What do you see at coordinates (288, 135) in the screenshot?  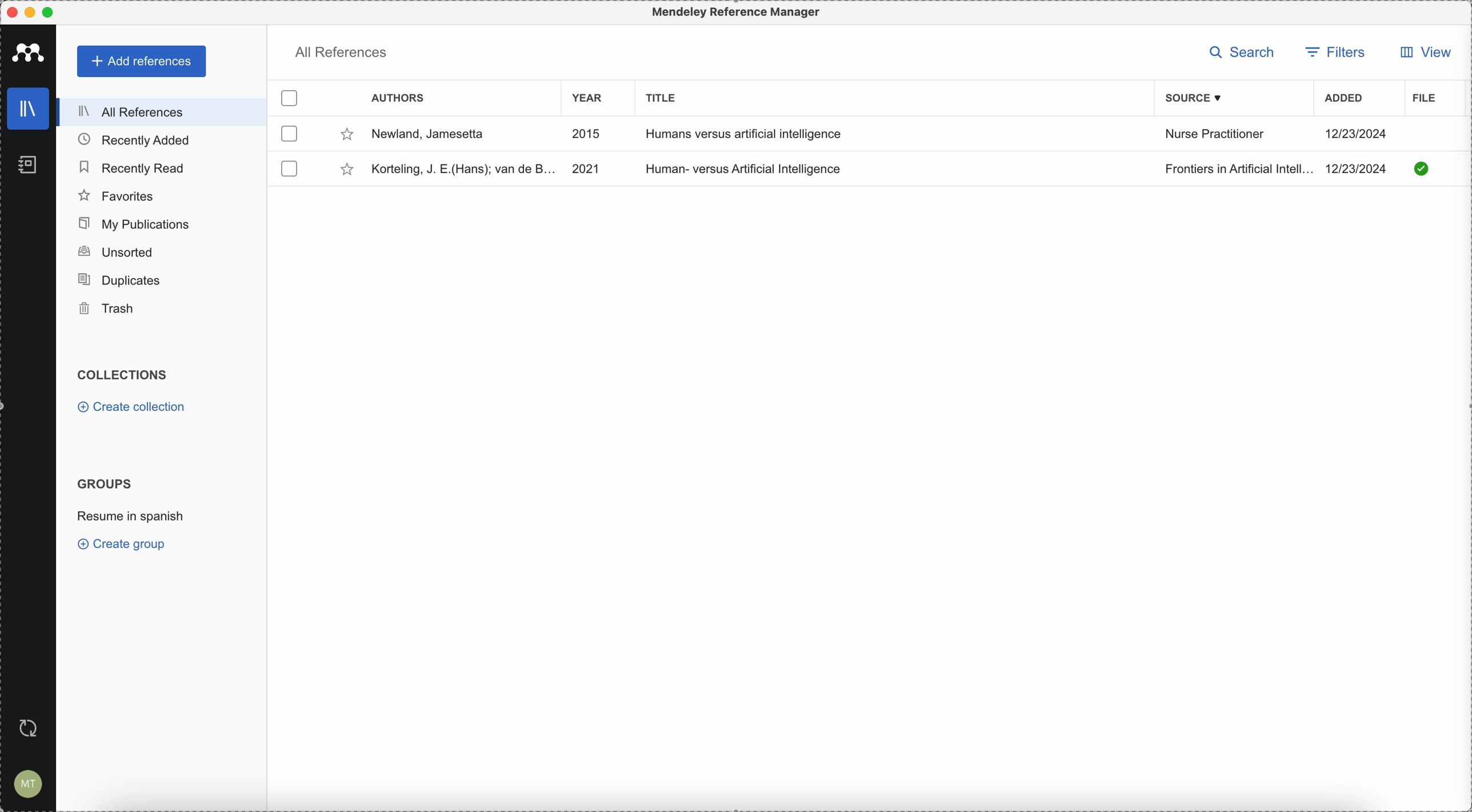 I see `checkbox` at bounding box center [288, 135].